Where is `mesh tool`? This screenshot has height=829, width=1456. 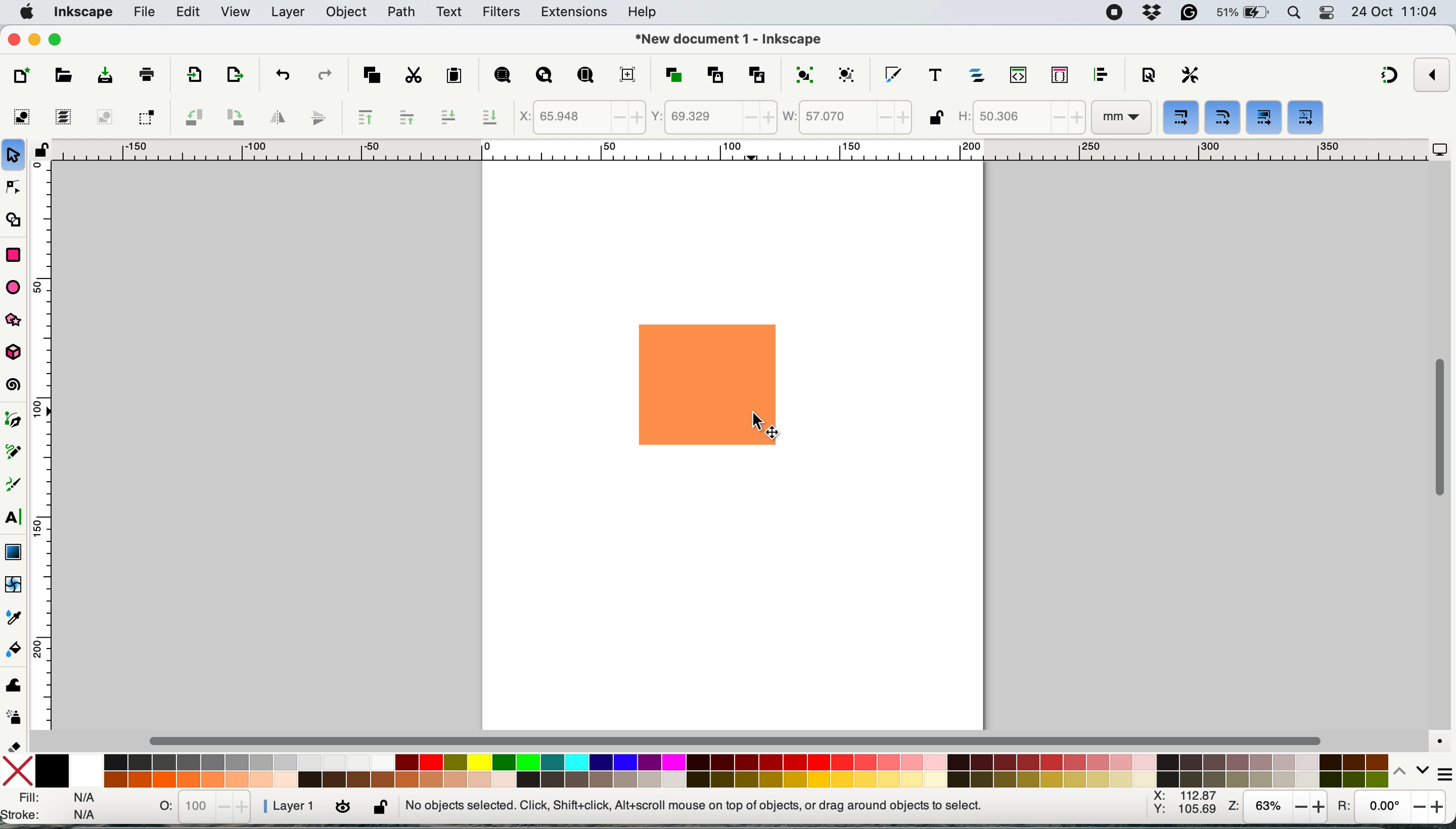 mesh tool is located at coordinates (15, 586).